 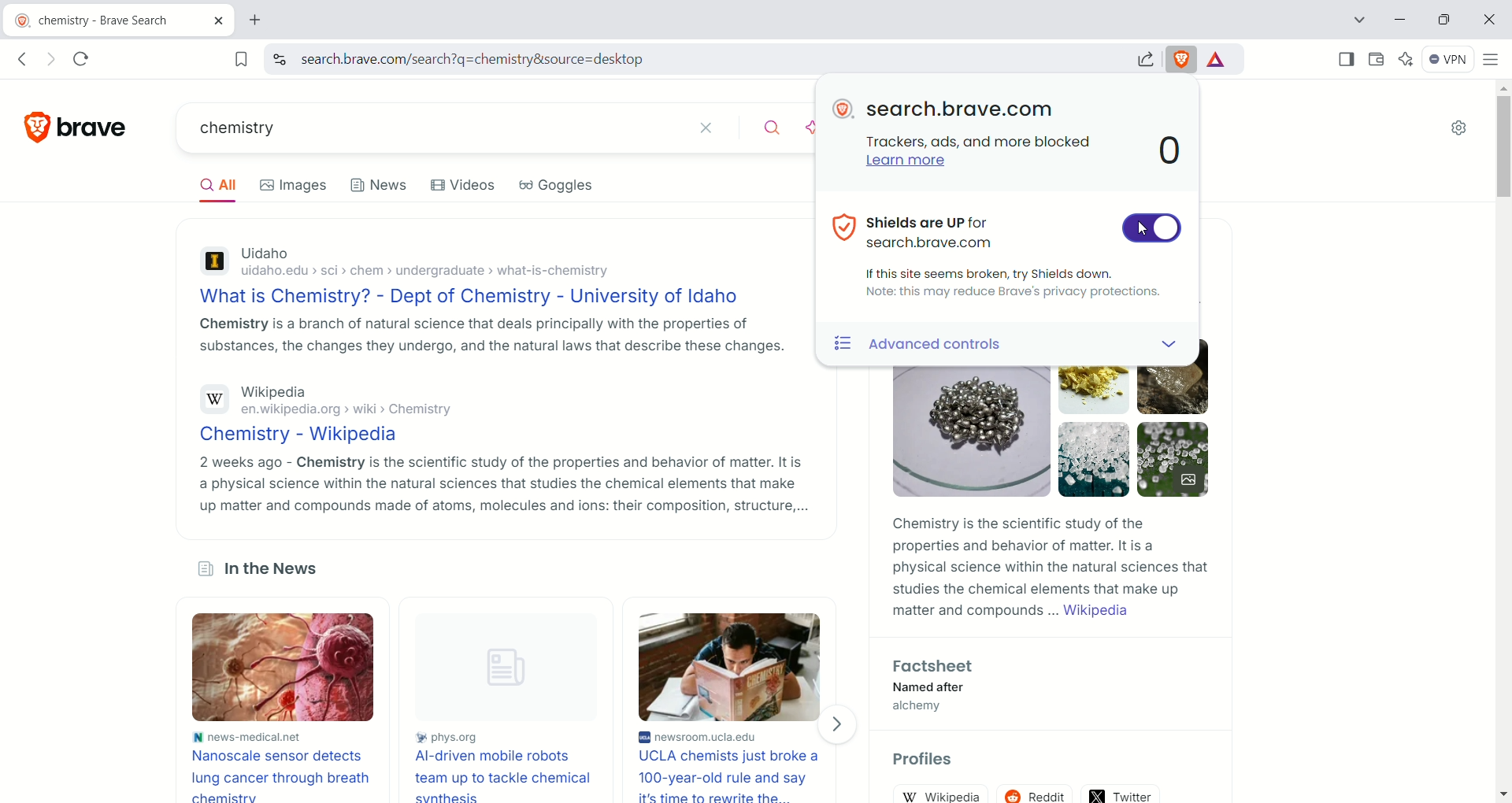 I want to click on All, so click(x=216, y=185).